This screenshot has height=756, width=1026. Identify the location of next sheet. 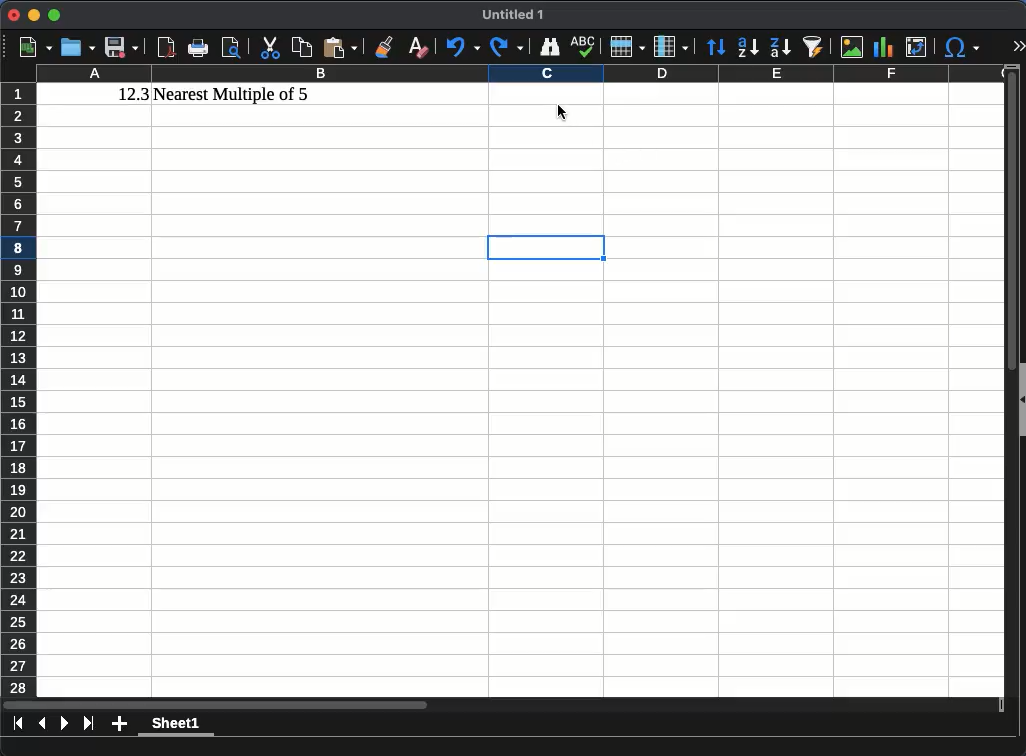
(65, 725).